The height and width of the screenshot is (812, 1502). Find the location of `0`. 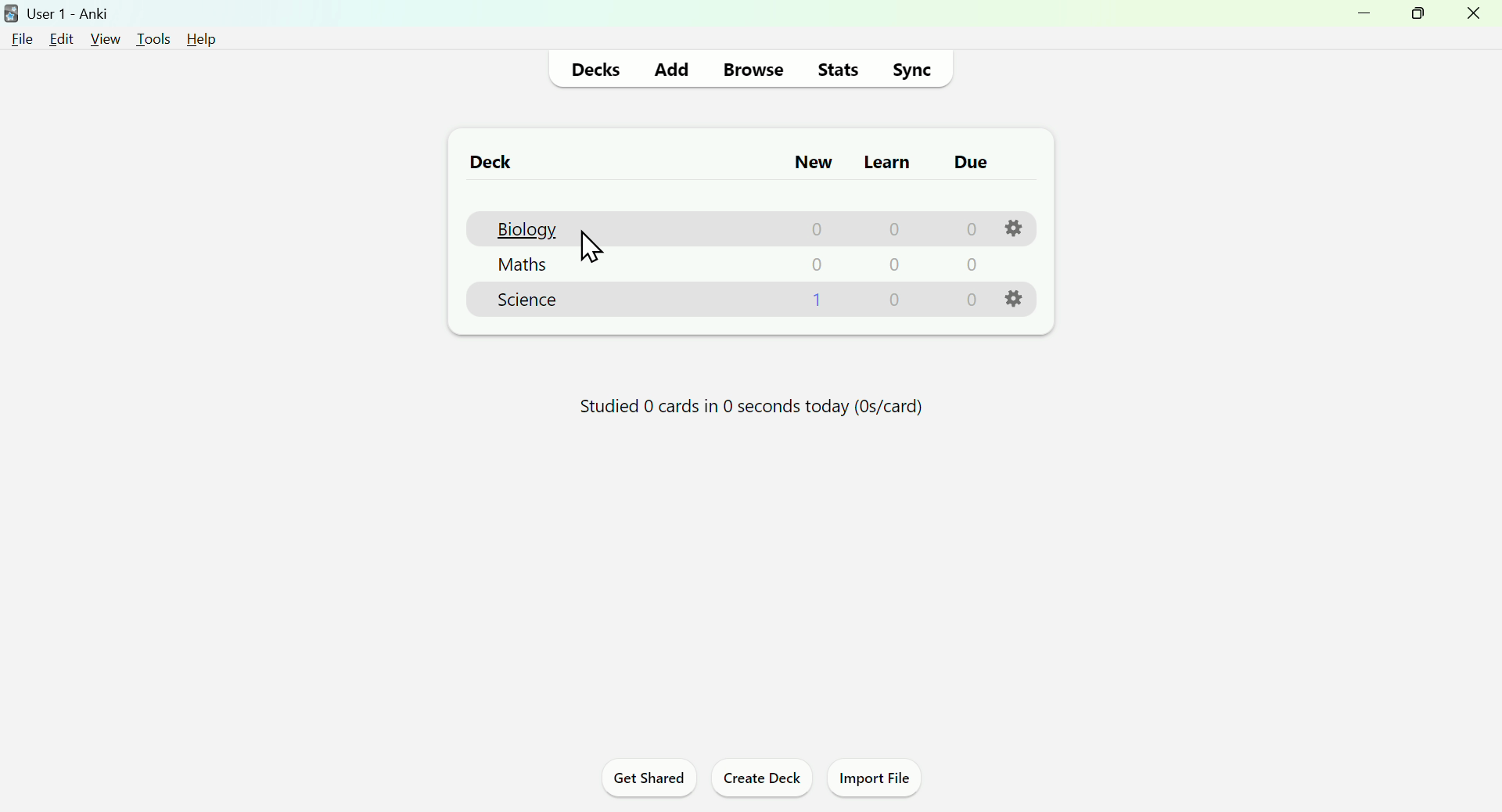

0 is located at coordinates (969, 300).